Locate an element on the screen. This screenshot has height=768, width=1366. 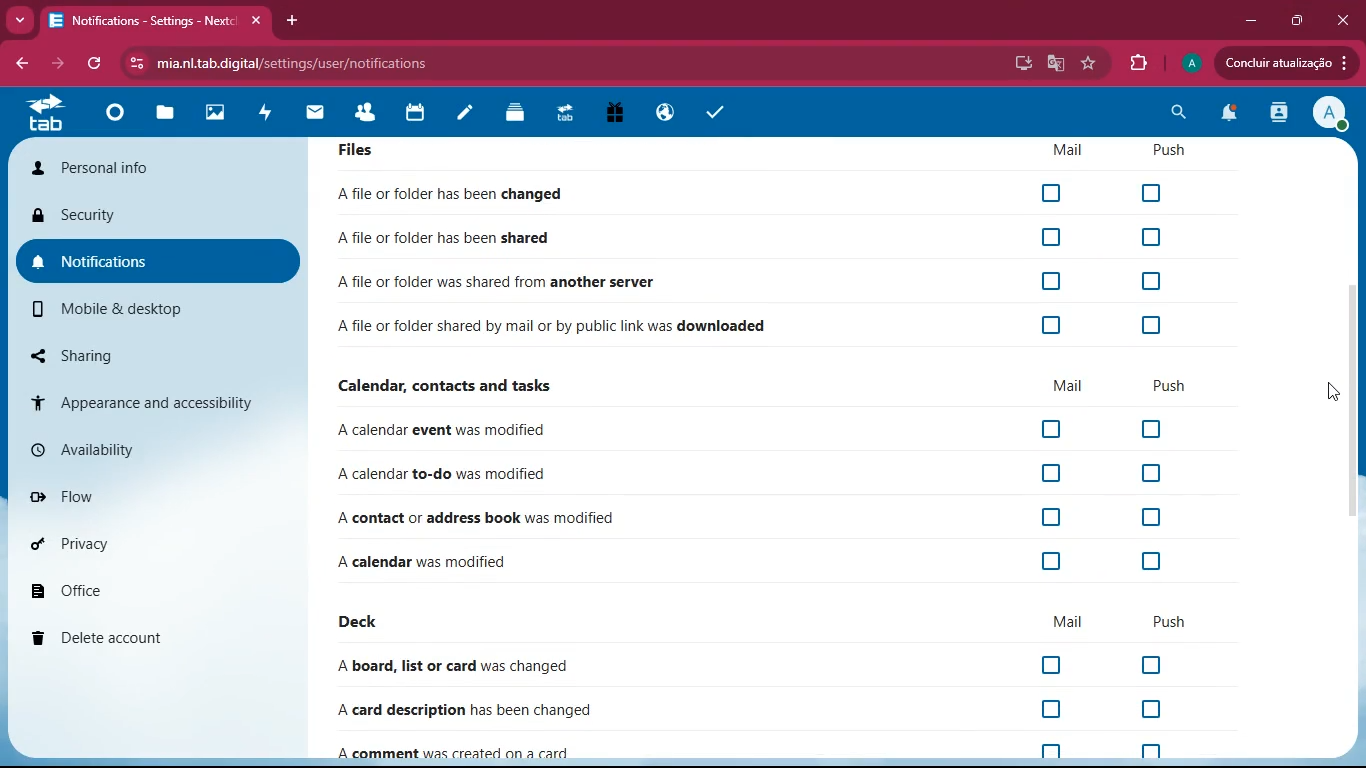
file downloaded is located at coordinates (558, 326).